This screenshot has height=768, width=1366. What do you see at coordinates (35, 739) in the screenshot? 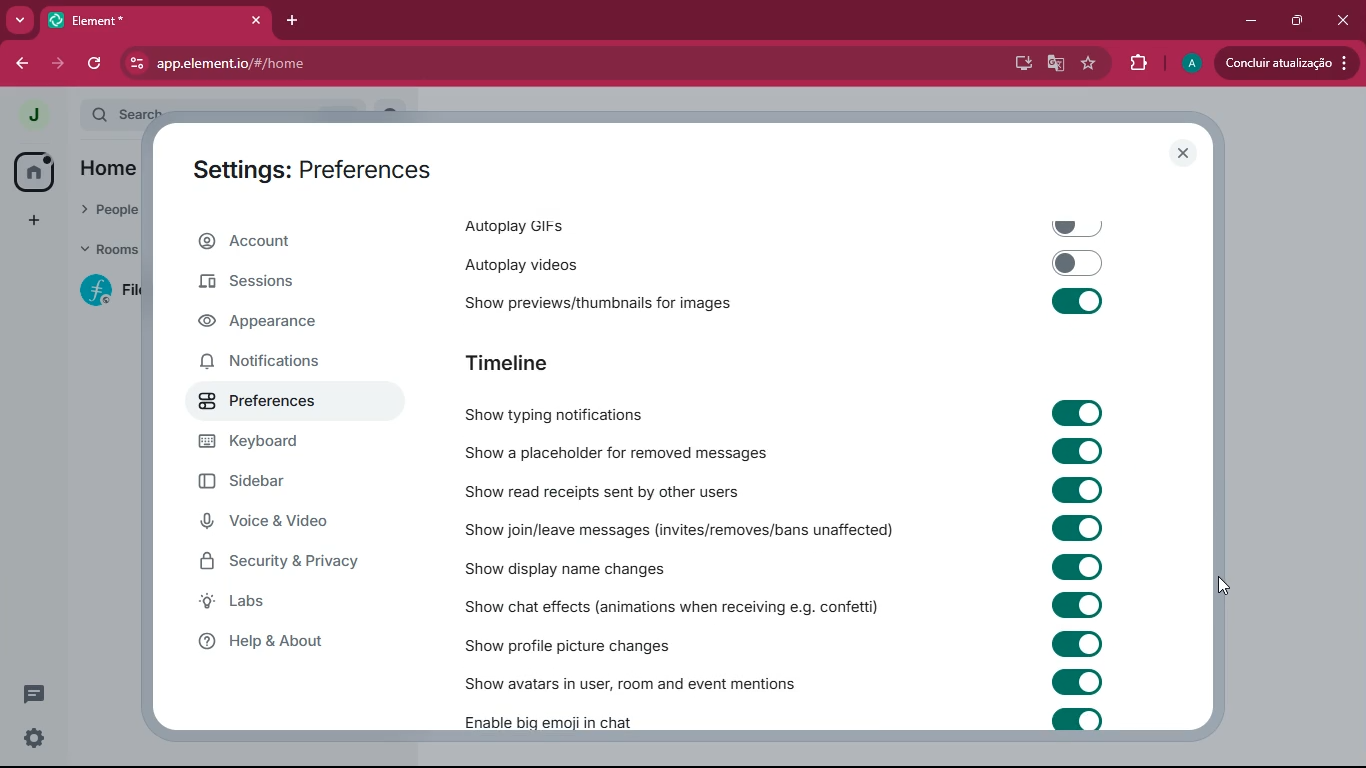
I see `quick settings` at bounding box center [35, 739].